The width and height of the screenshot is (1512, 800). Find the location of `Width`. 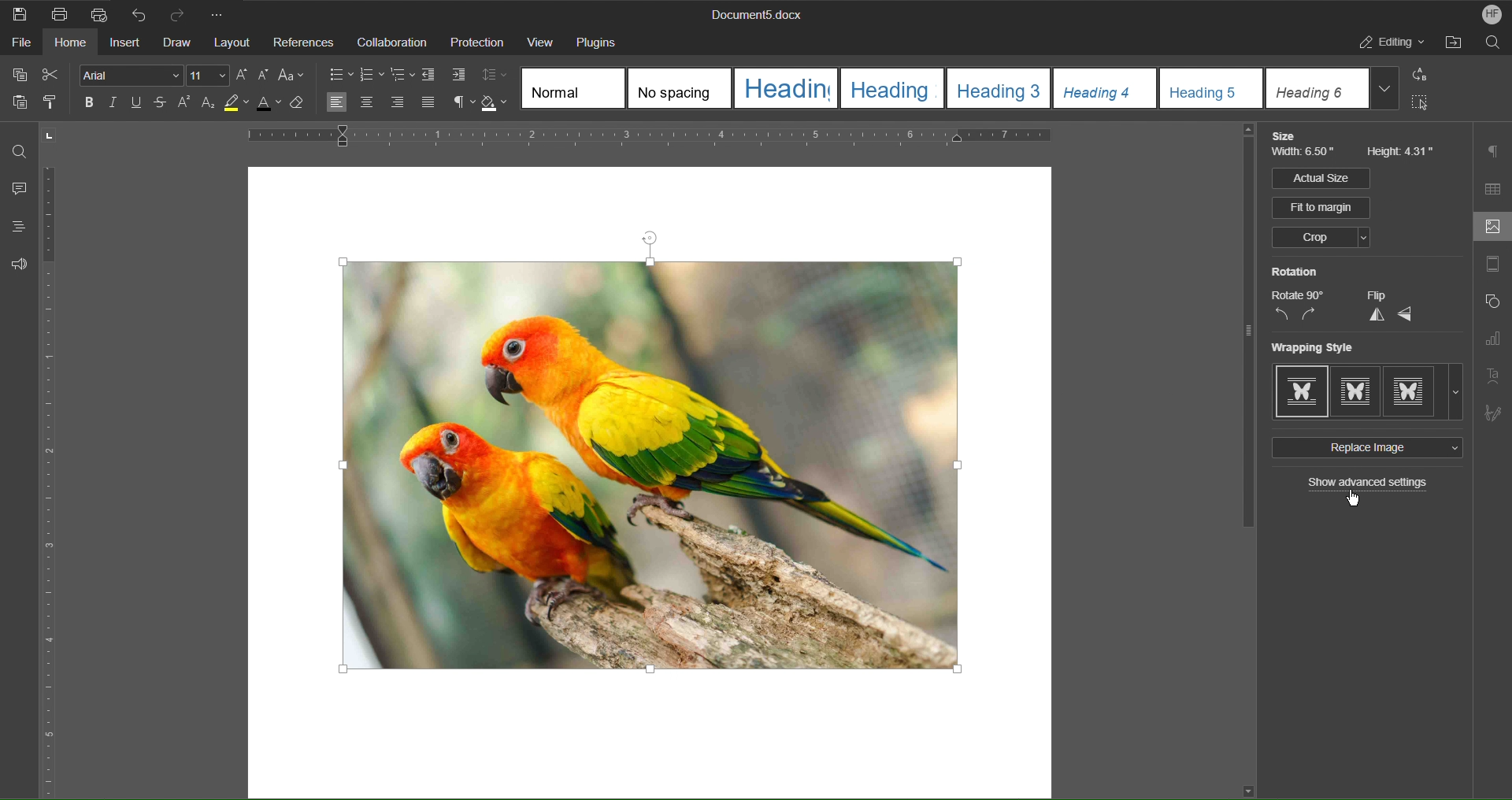

Width is located at coordinates (1306, 154).